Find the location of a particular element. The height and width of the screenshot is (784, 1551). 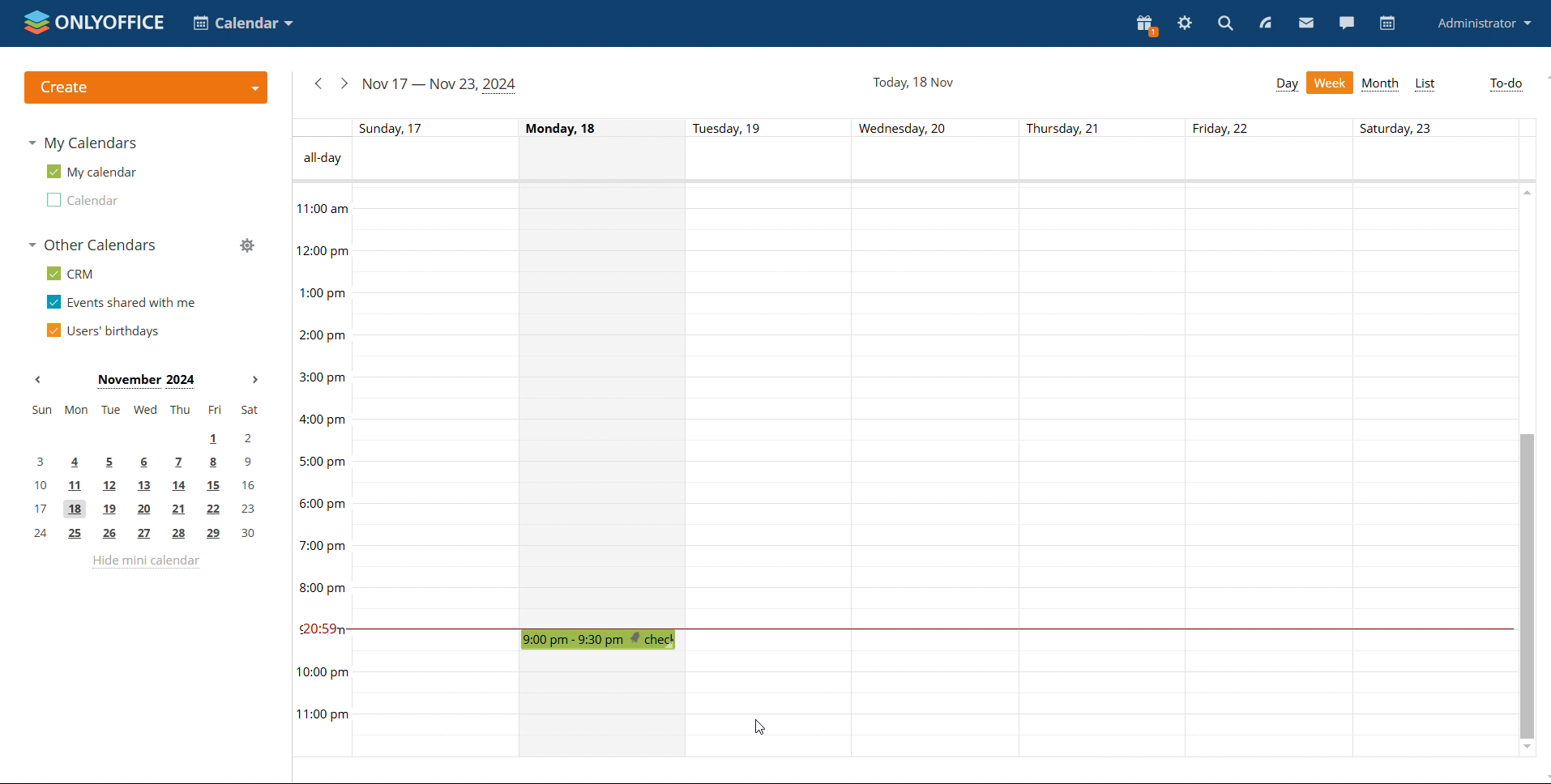

current time is located at coordinates (929, 628).